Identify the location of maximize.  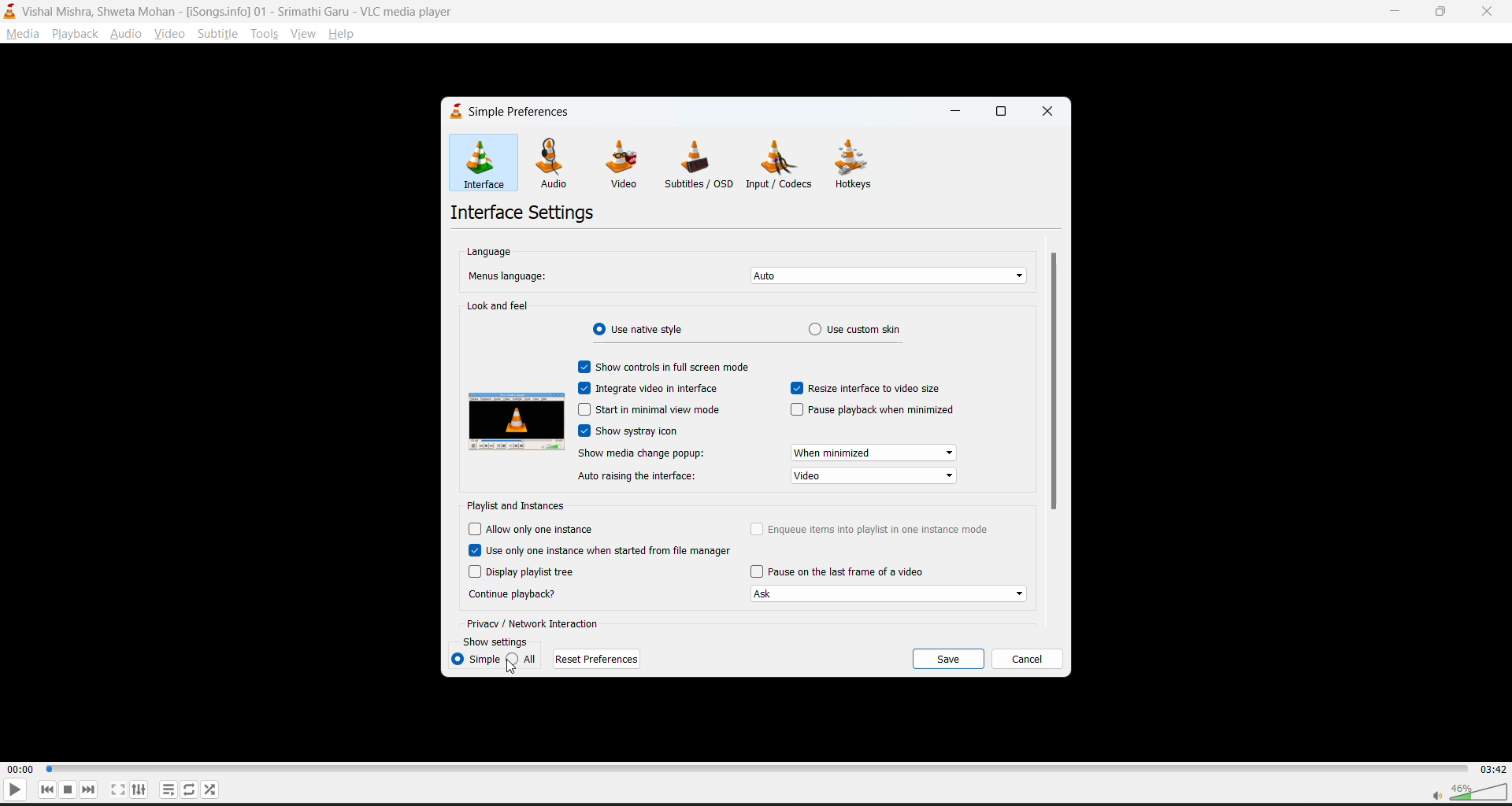
(1444, 12).